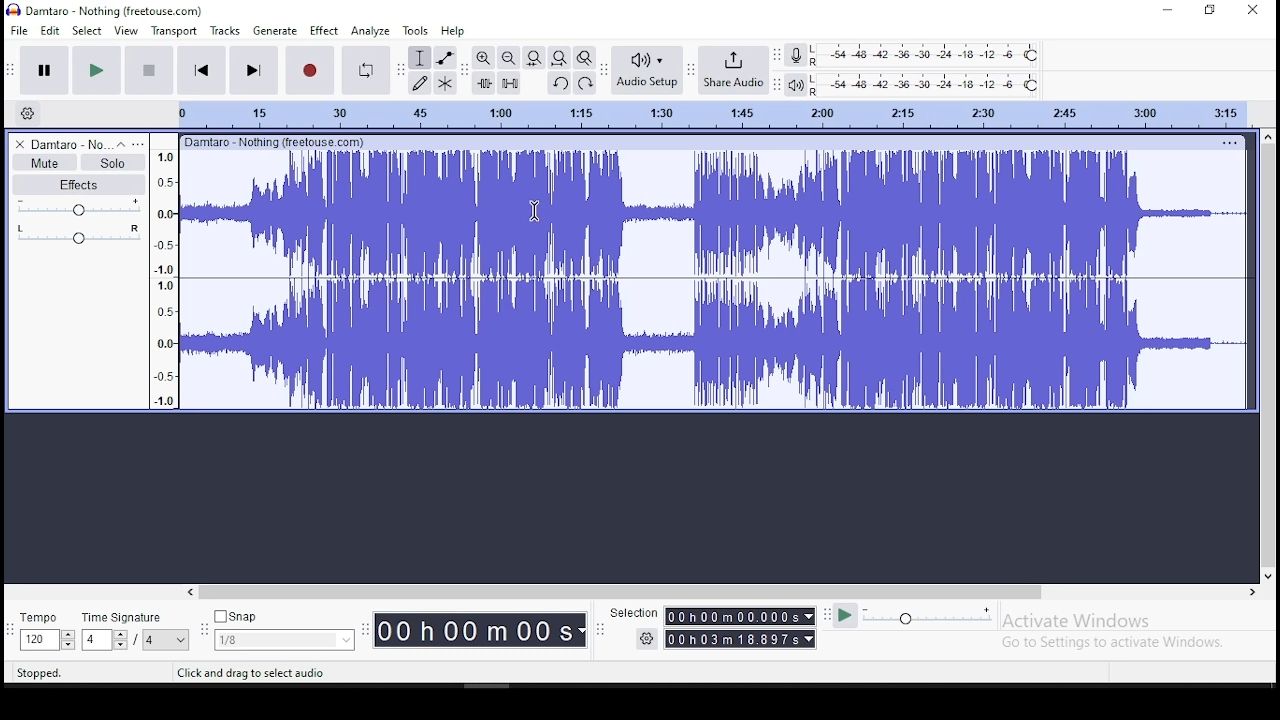  I want to click on edit, so click(50, 30).